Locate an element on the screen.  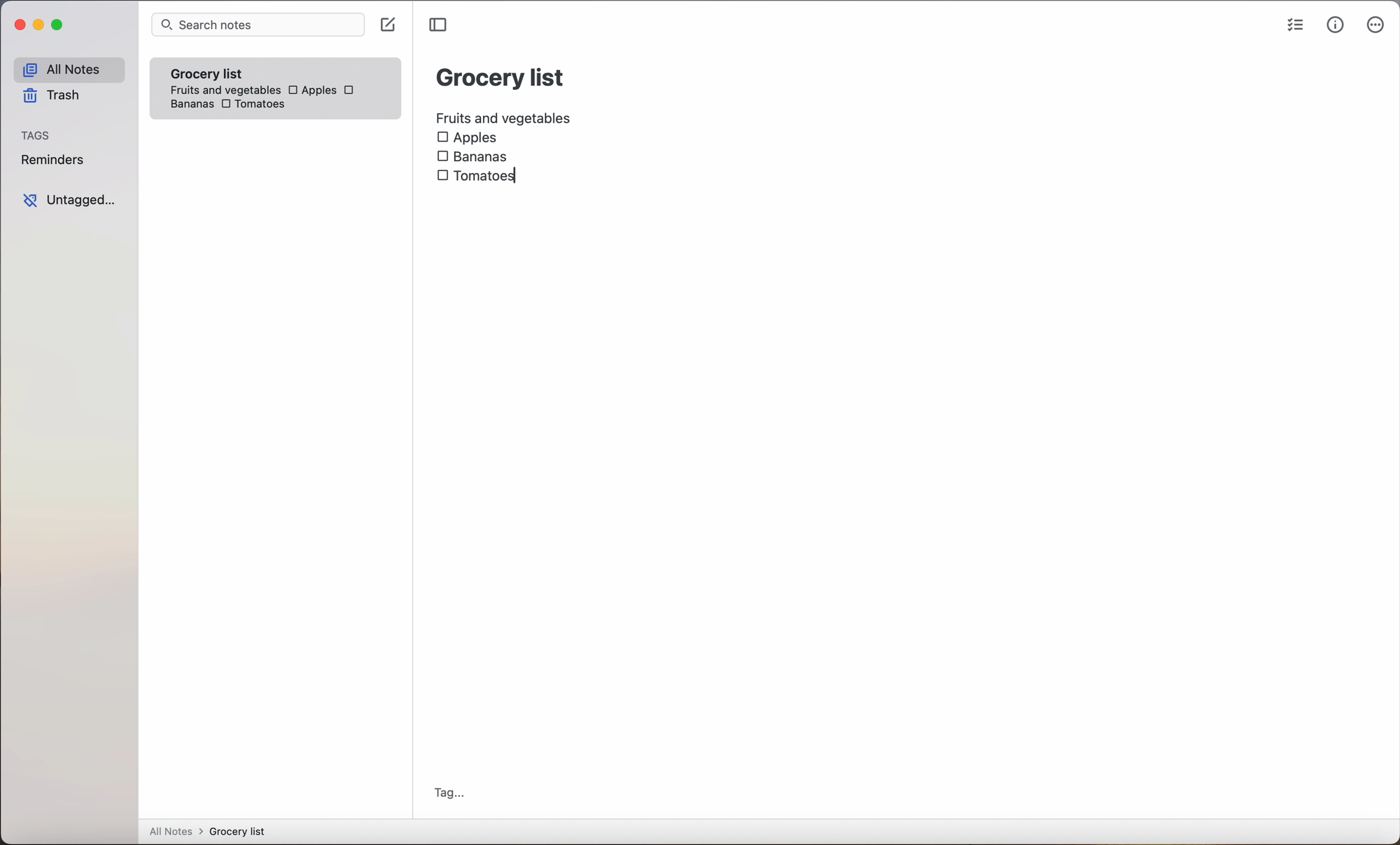
reminders is located at coordinates (52, 162).